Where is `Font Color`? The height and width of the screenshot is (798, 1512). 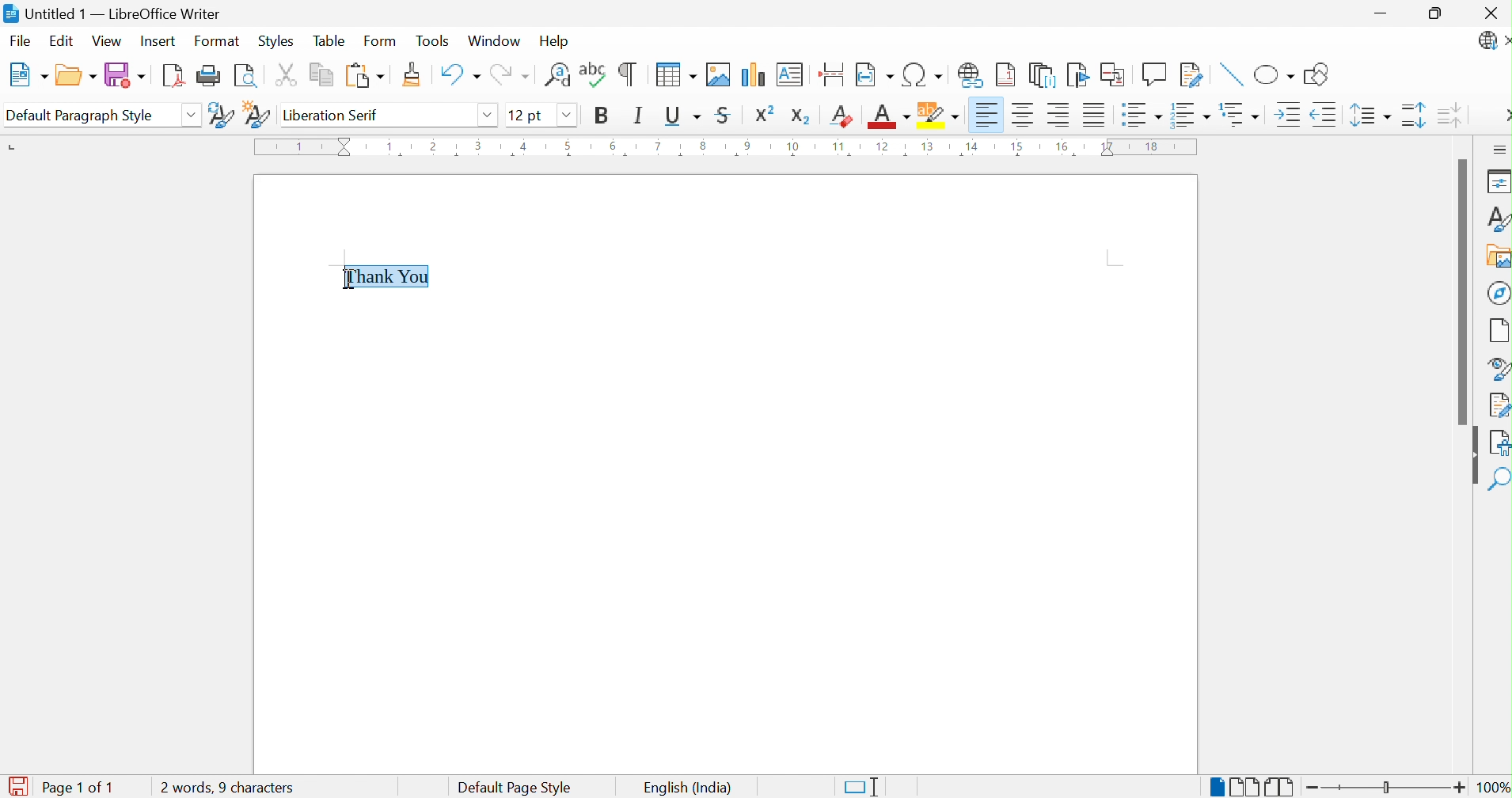
Font Color is located at coordinates (891, 118).